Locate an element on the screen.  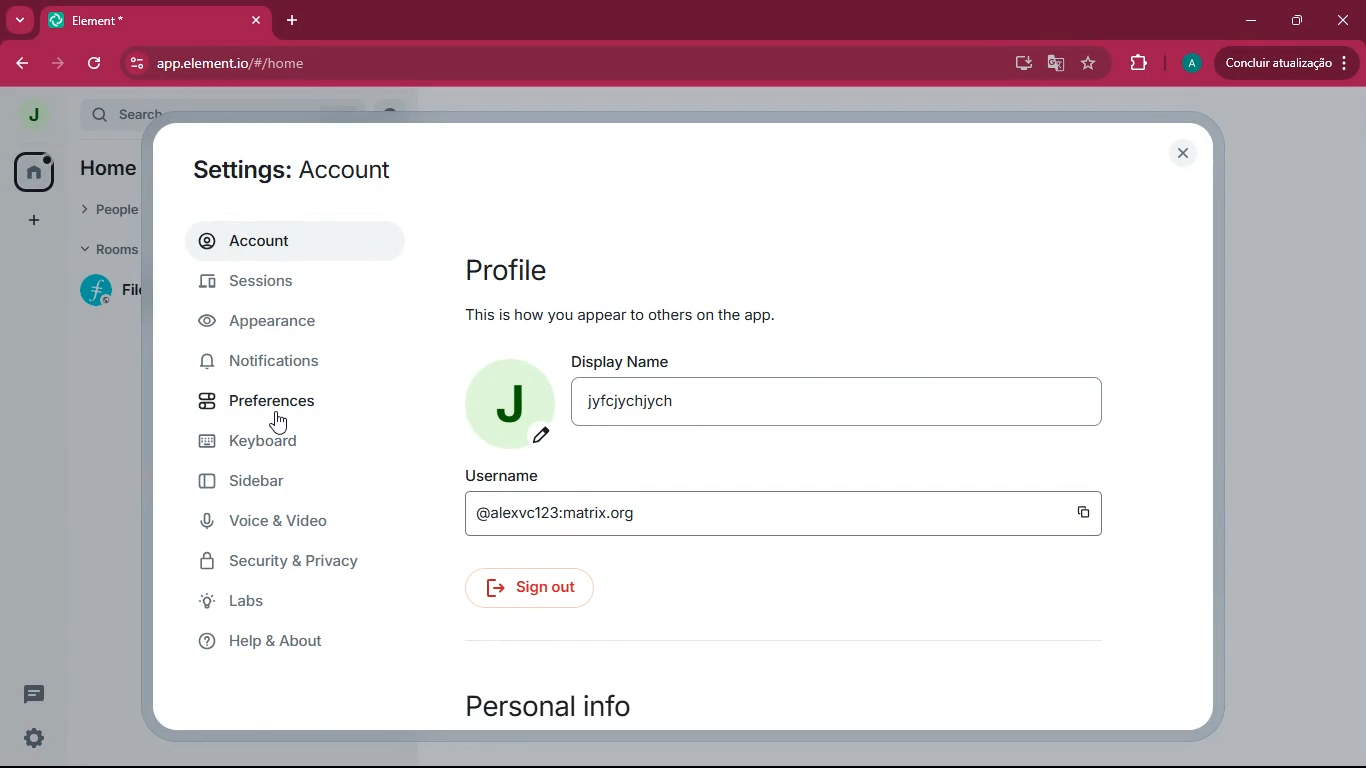
personal info is located at coordinates (558, 702).